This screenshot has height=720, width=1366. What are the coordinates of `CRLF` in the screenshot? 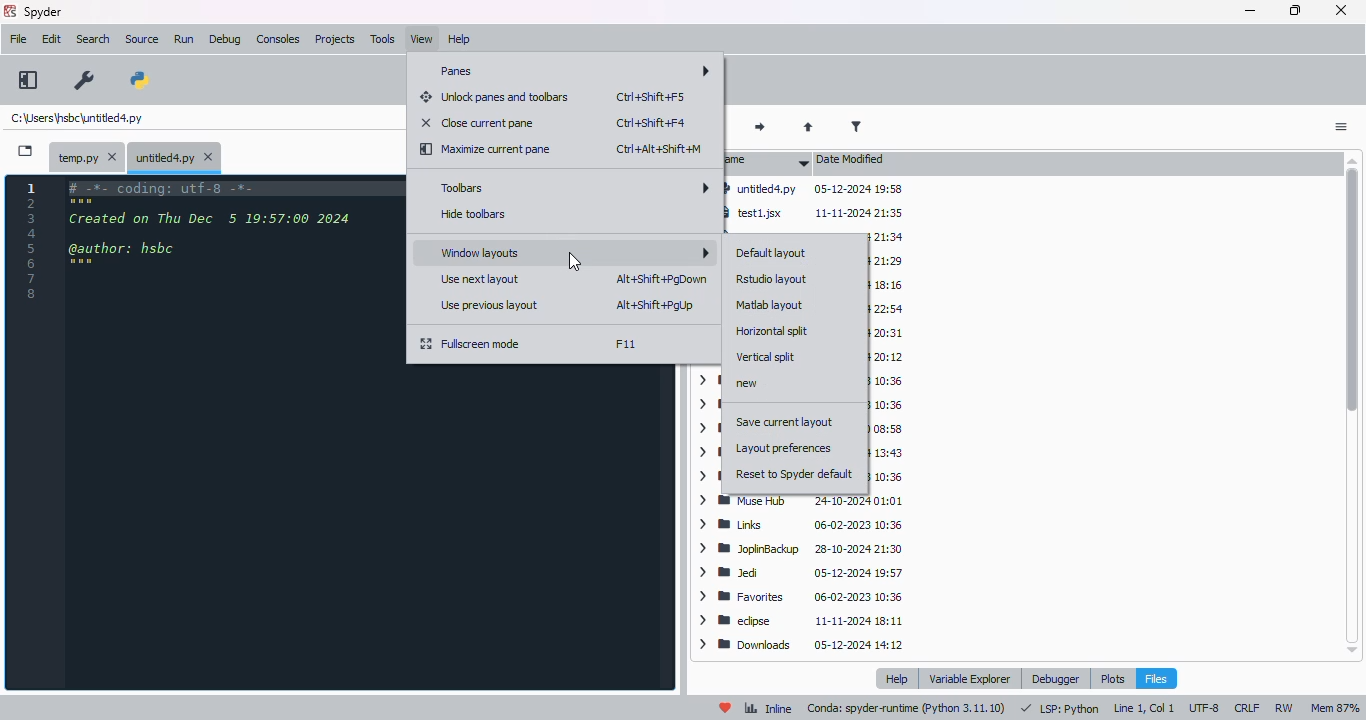 It's located at (1249, 707).